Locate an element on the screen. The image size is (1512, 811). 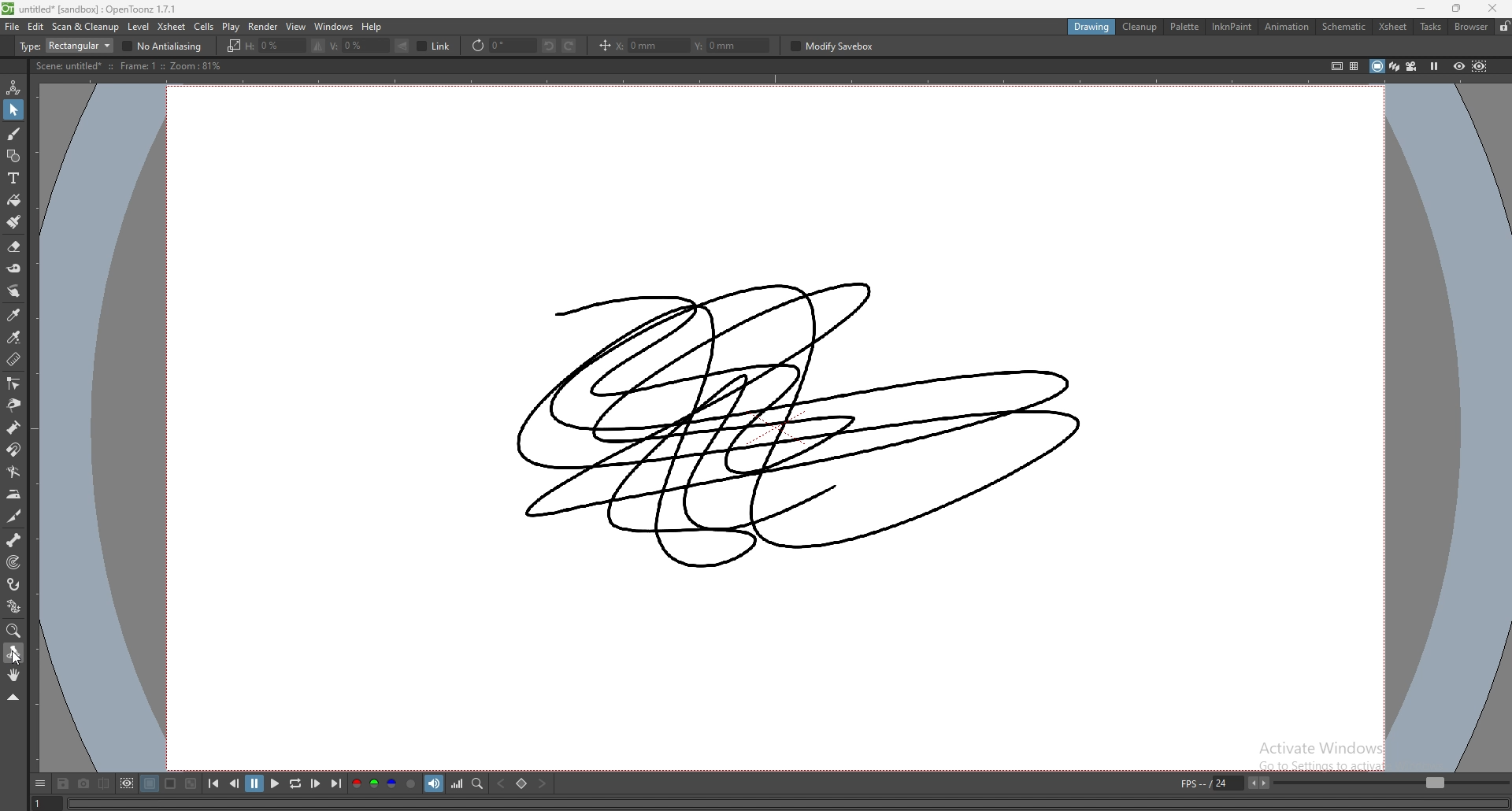
type tool is located at coordinates (13, 177).